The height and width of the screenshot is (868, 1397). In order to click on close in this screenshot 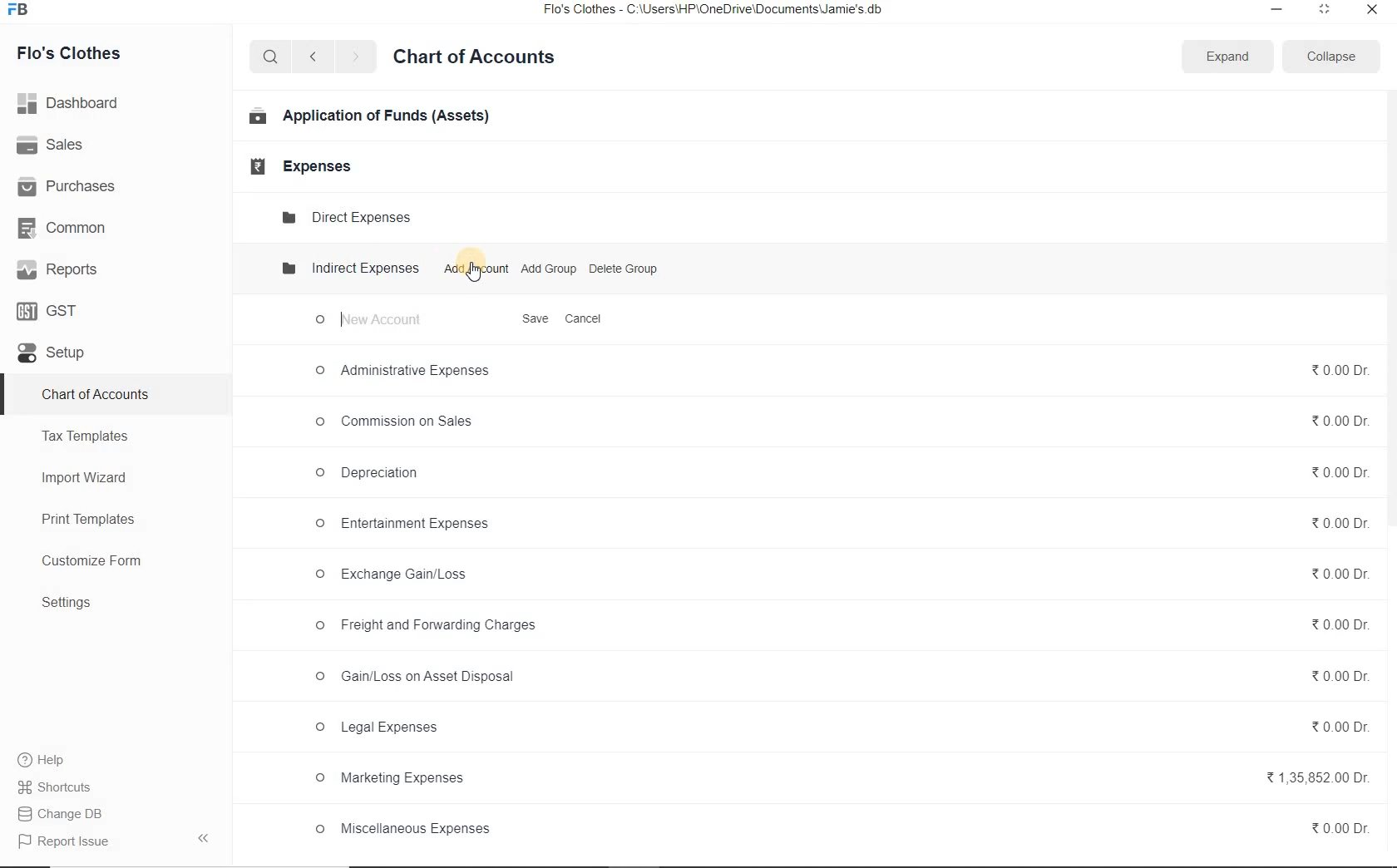, I will do `click(1370, 13)`.